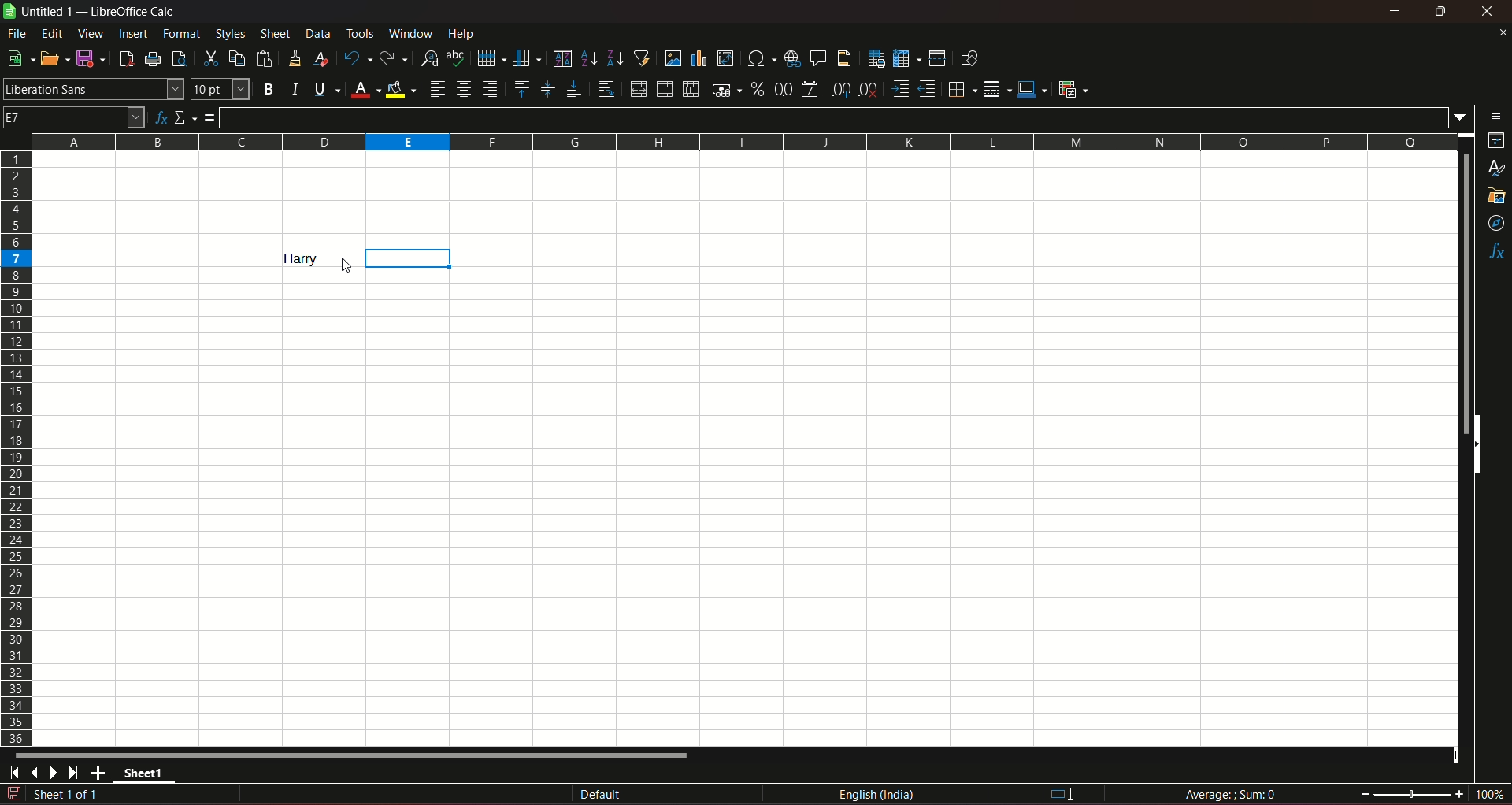 This screenshot has height=805, width=1512. I want to click on clear direct formatting, so click(324, 58).